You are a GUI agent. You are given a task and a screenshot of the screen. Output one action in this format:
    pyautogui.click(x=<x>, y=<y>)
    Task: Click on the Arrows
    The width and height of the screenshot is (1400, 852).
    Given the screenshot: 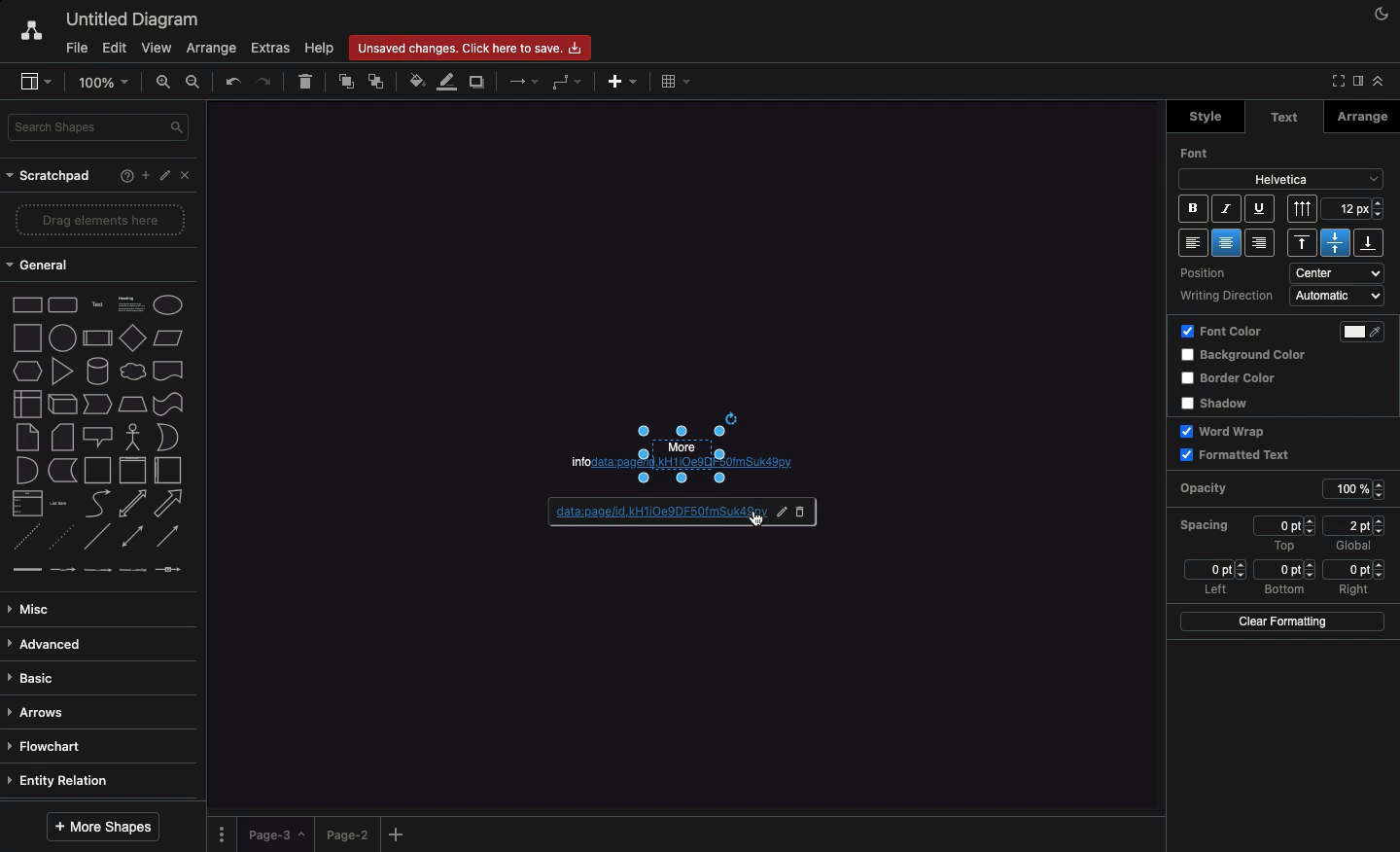 What is the action you would take?
    pyautogui.click(x=521, y=83)
    